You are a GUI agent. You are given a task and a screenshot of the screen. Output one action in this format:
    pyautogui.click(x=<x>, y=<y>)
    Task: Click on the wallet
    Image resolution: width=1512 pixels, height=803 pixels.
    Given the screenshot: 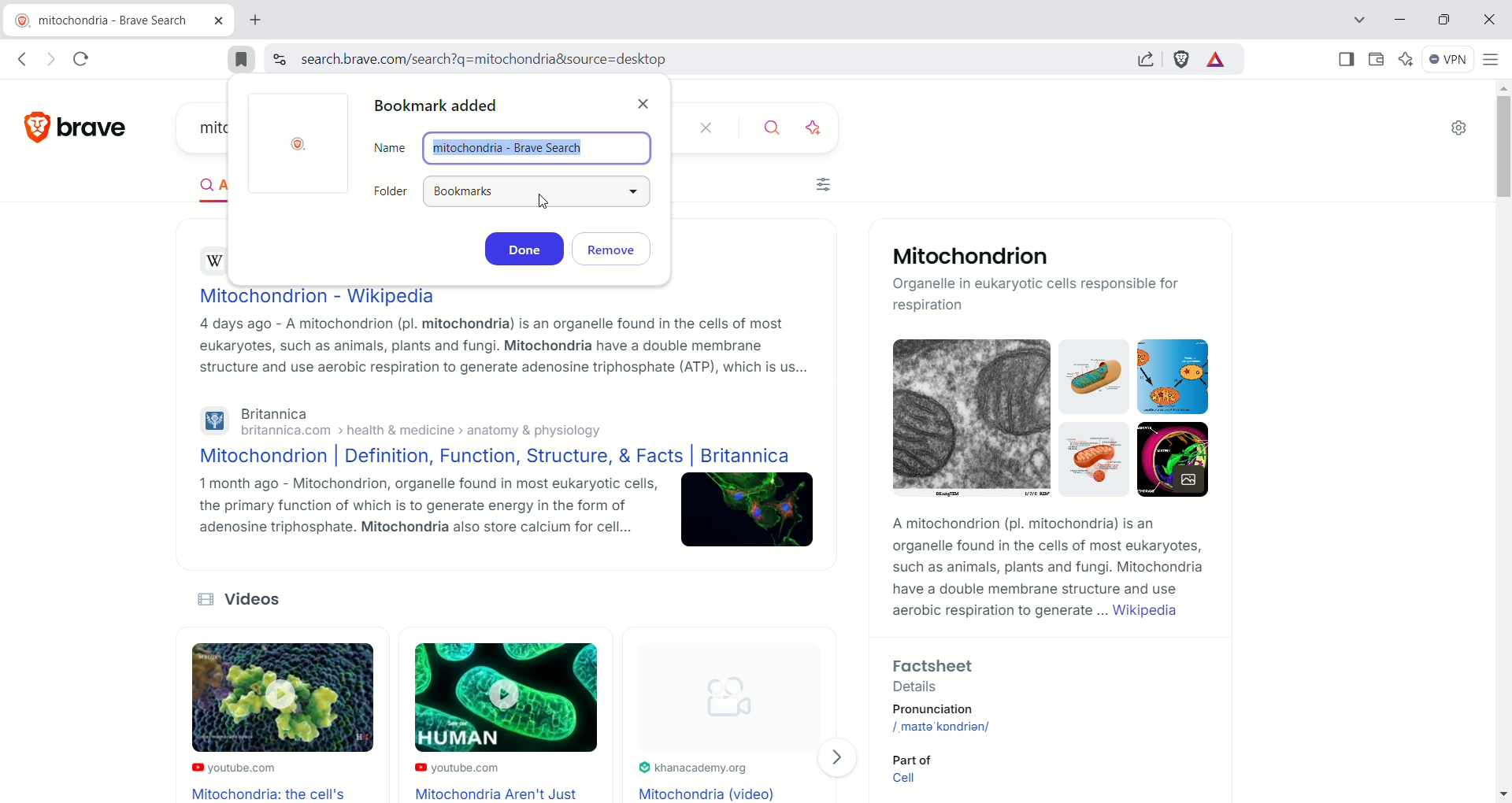 What is the action you would take?
    pyautogui.click(x=1377, y=60)
    